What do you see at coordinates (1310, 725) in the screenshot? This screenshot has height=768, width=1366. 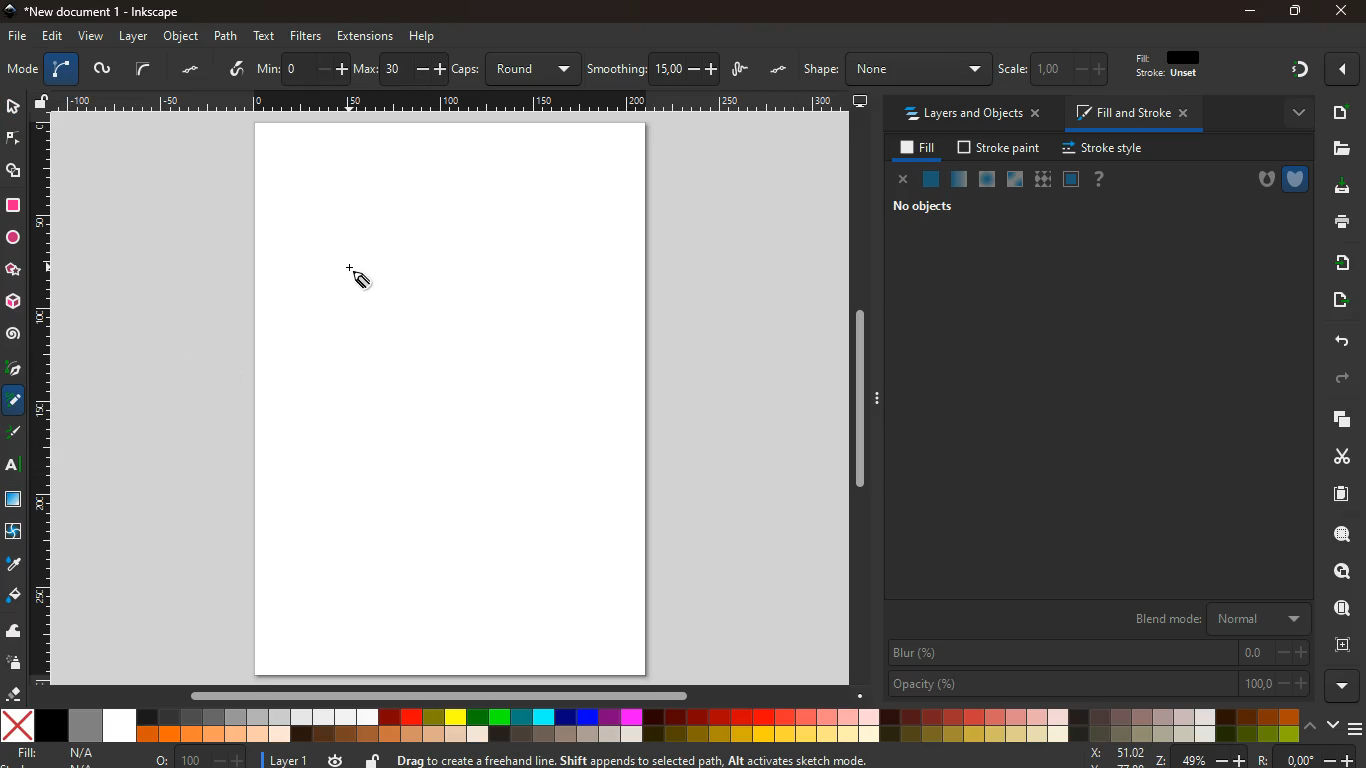 I see `up` at bounding box center [1310, 725].